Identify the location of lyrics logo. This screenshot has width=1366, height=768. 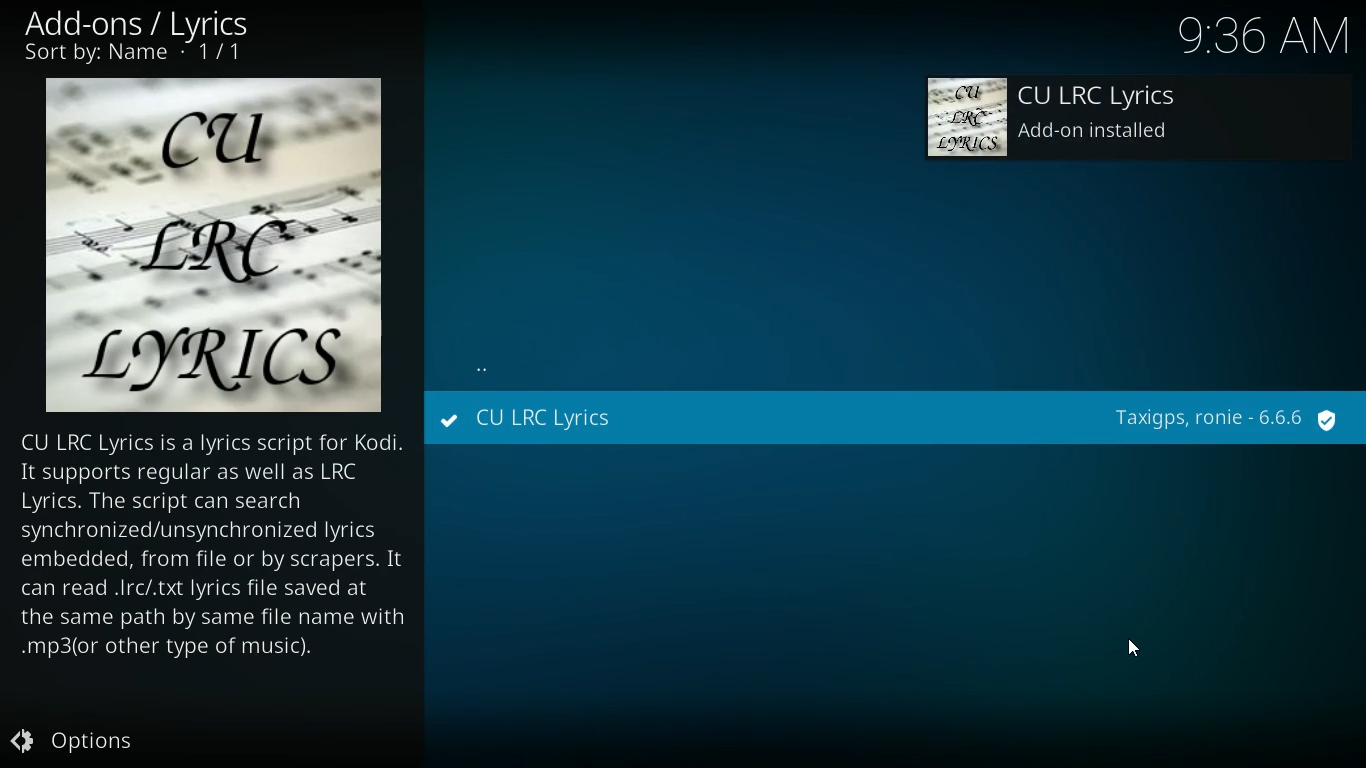
(215, 246).